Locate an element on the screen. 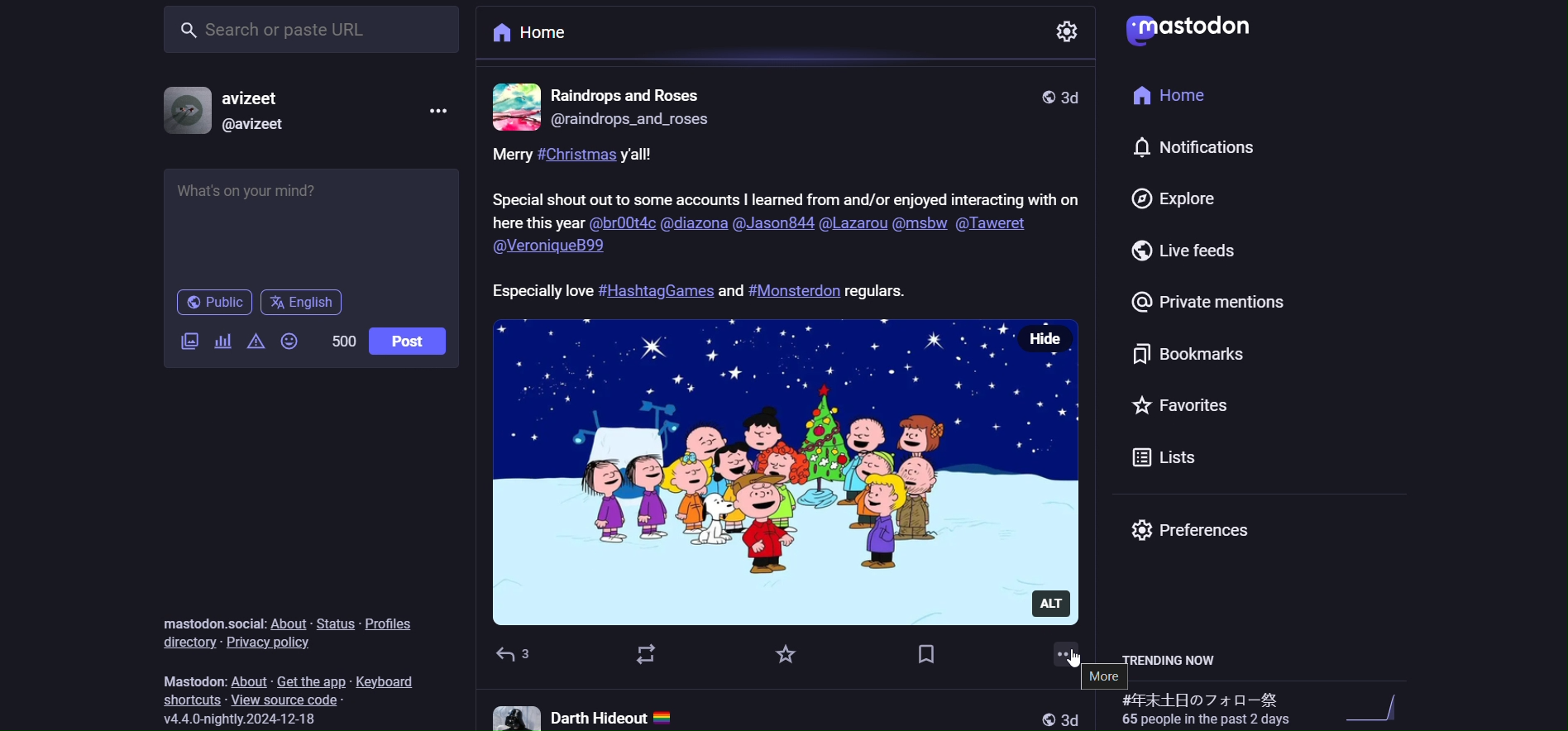  about is located at coordinates (248, 680).